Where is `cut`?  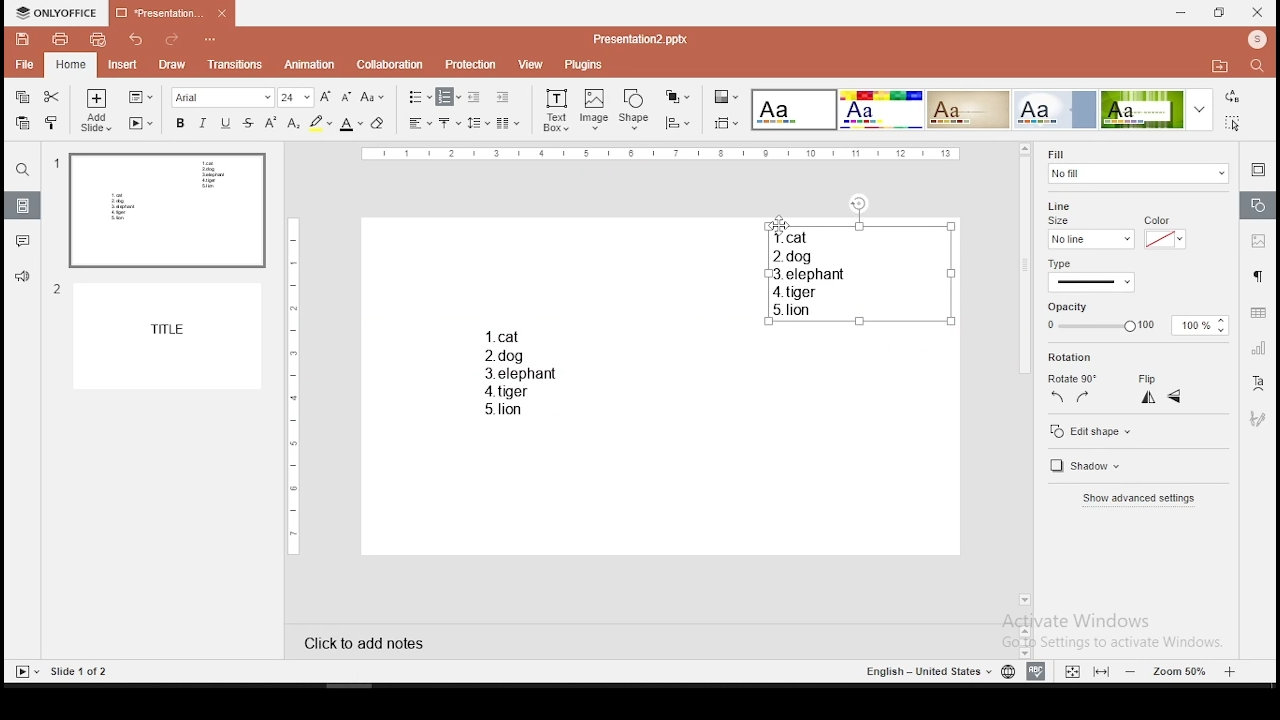
cut is located at coordinates (54, 95).